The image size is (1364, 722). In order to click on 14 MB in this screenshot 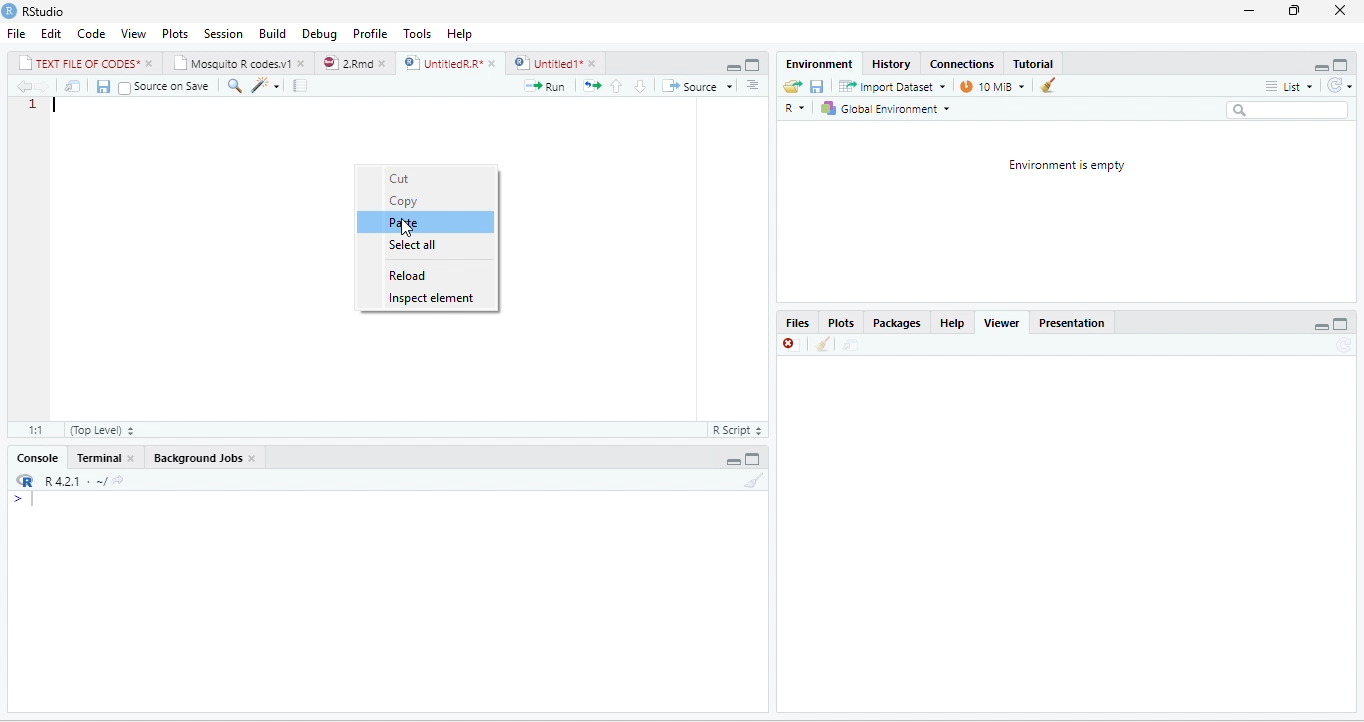, I will do `click(993, 86)`.